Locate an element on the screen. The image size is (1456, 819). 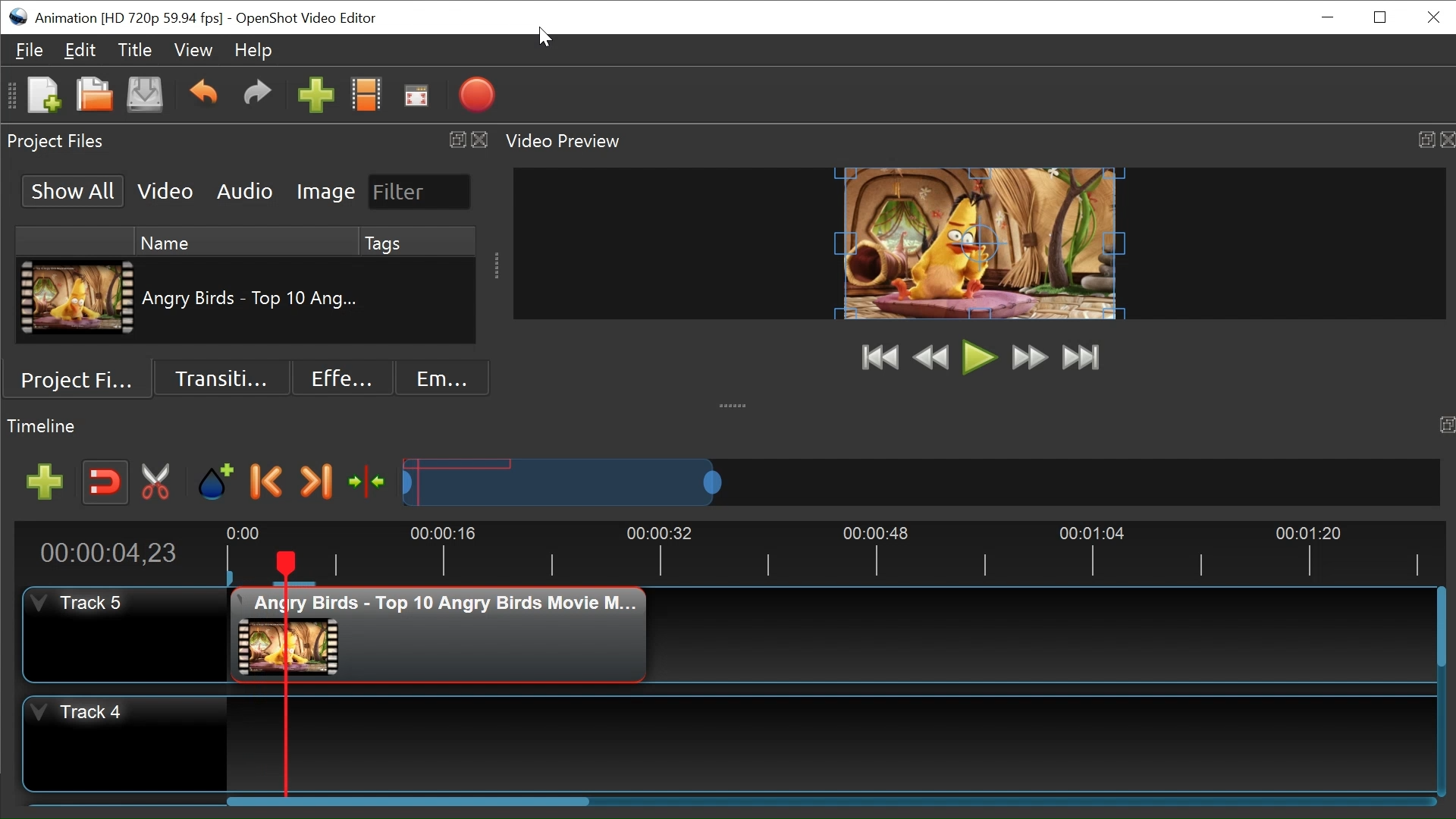
Preview Window is located at coordinates (977, 243).